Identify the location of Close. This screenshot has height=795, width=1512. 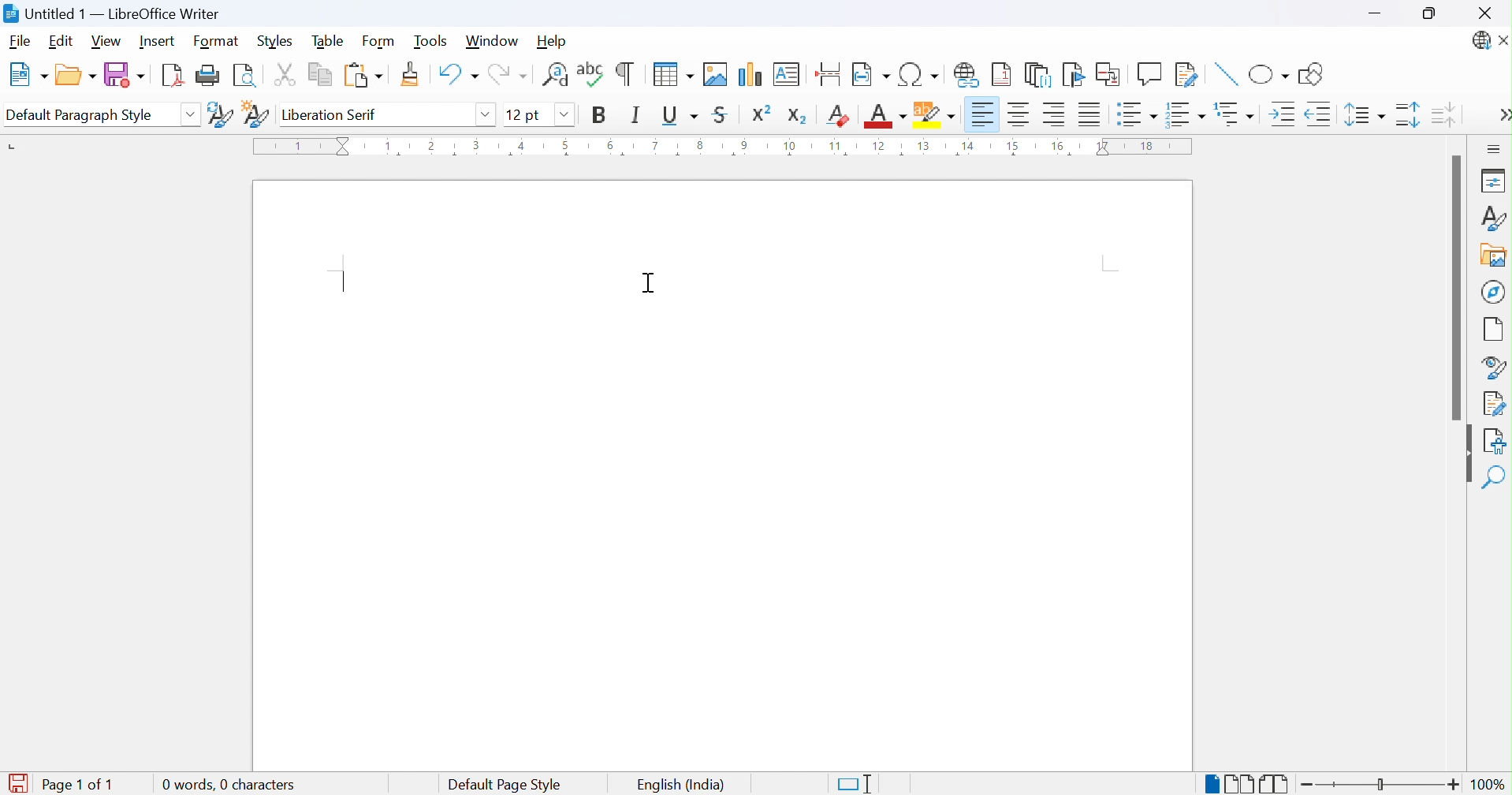
(1484, 13).